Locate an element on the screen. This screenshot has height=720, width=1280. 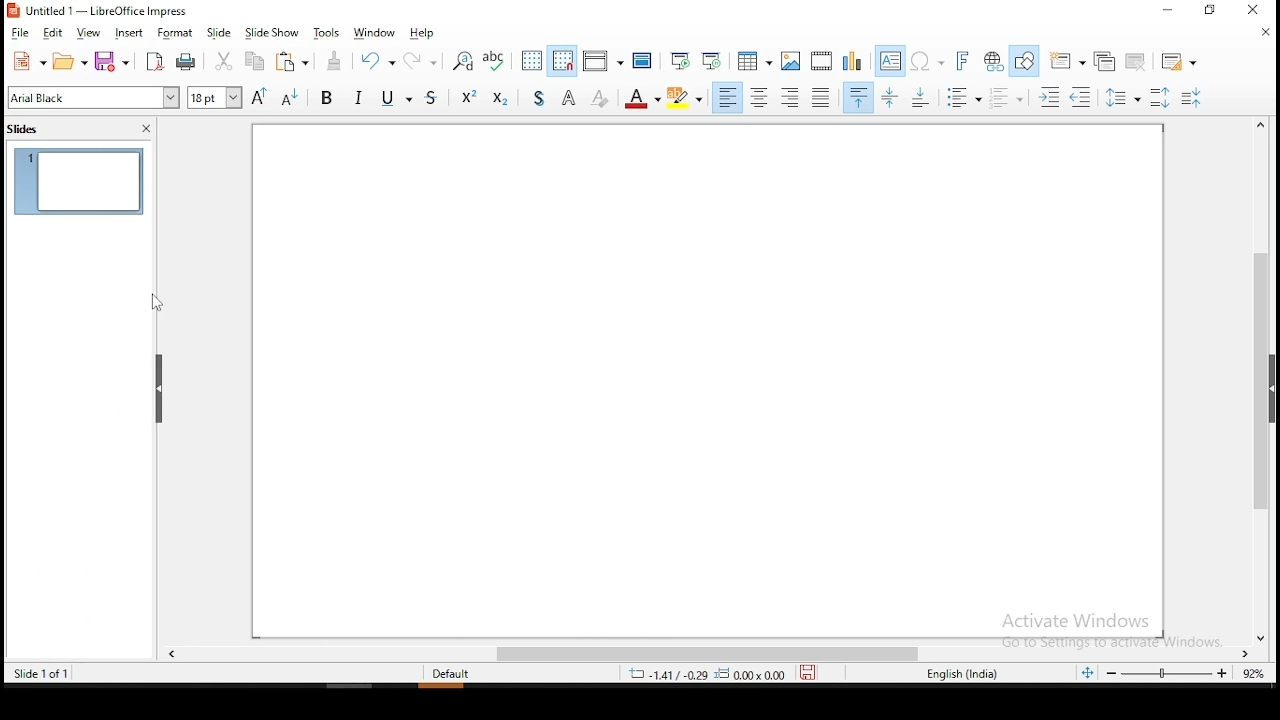
find and replace is located at coordinates (459, 60).